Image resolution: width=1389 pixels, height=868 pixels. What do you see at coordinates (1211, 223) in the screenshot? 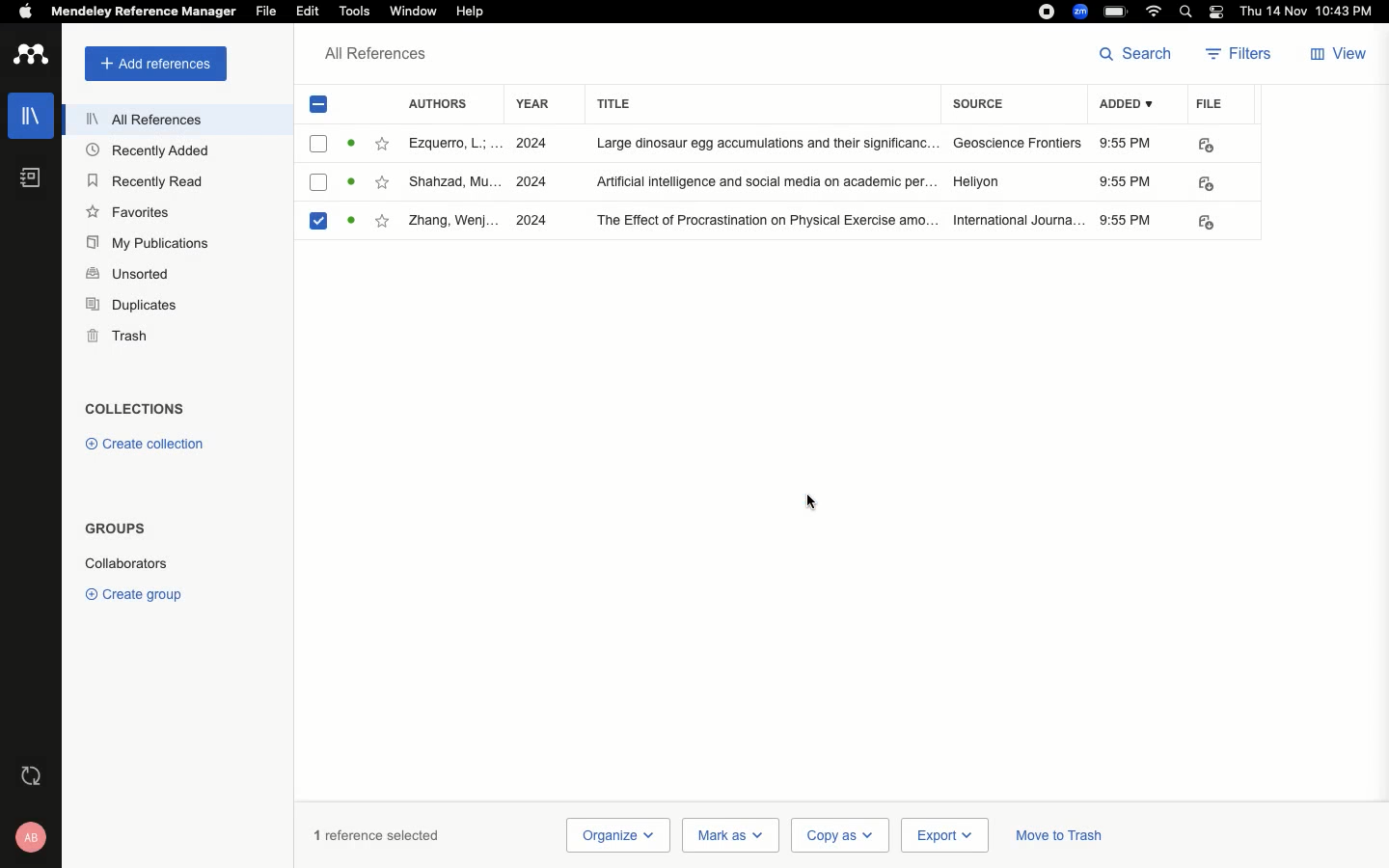
I see `PDF` at bounding box center [1211, 223].